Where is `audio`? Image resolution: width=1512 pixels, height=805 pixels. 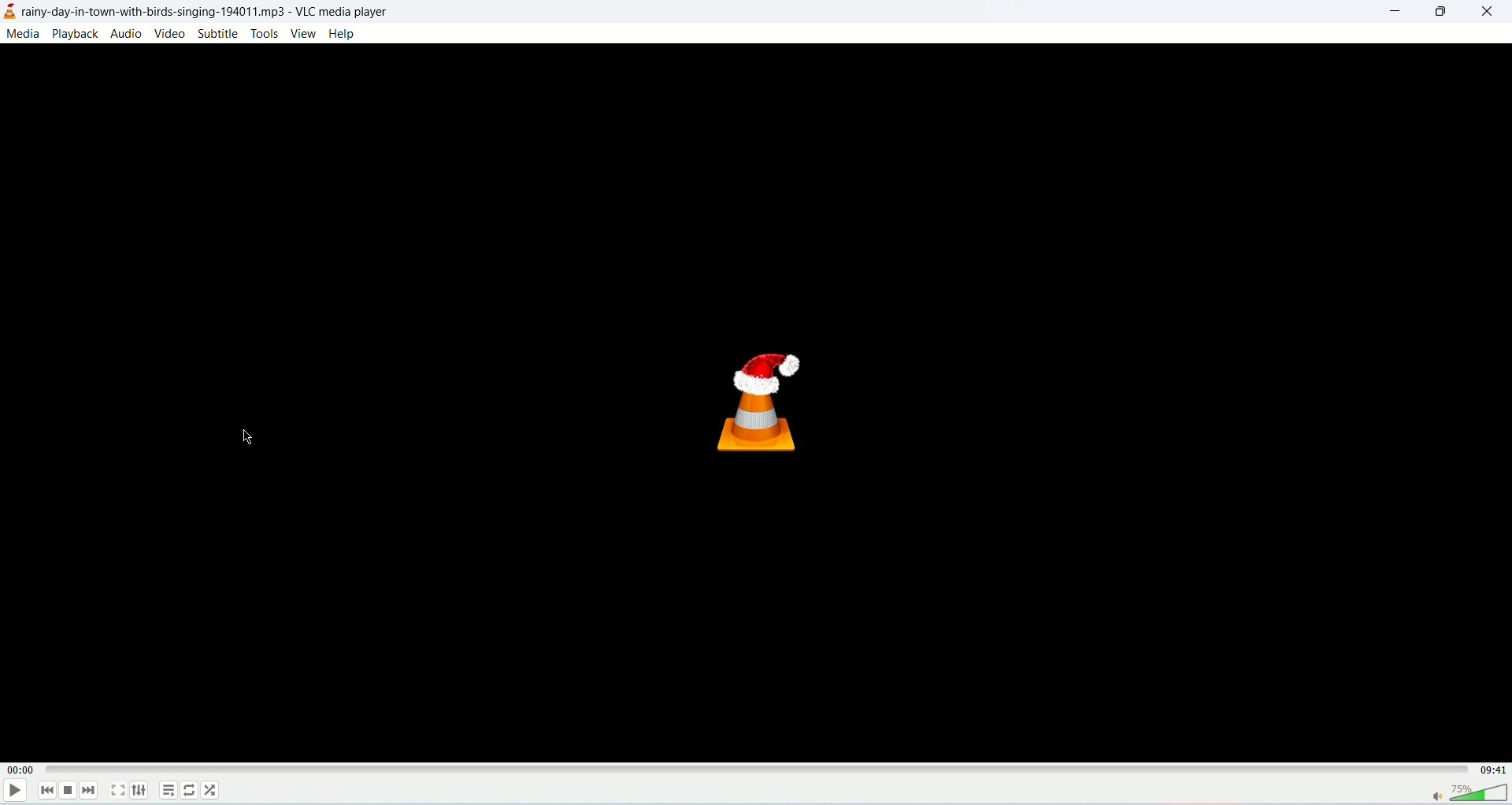 audio is located at coordinates (127, 33).